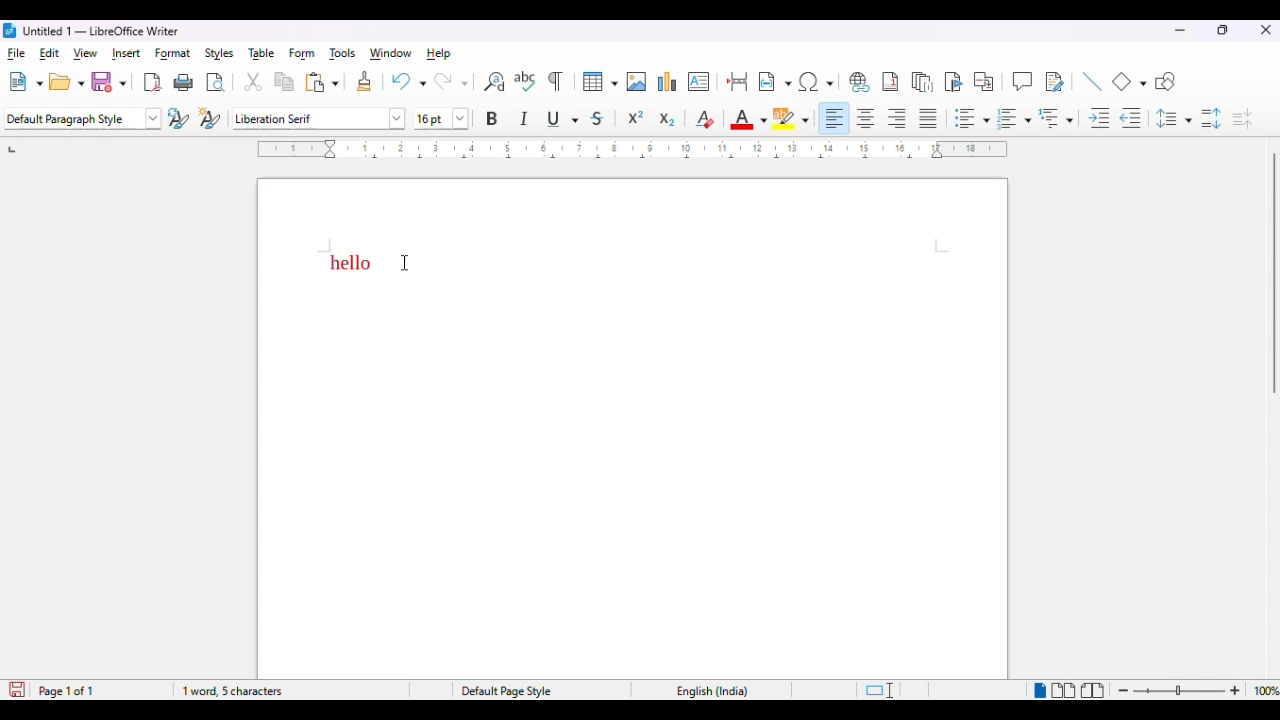  Describe the element at coordinates (858, 82) in the screenshot. I see `insert hyperlink` at that location.